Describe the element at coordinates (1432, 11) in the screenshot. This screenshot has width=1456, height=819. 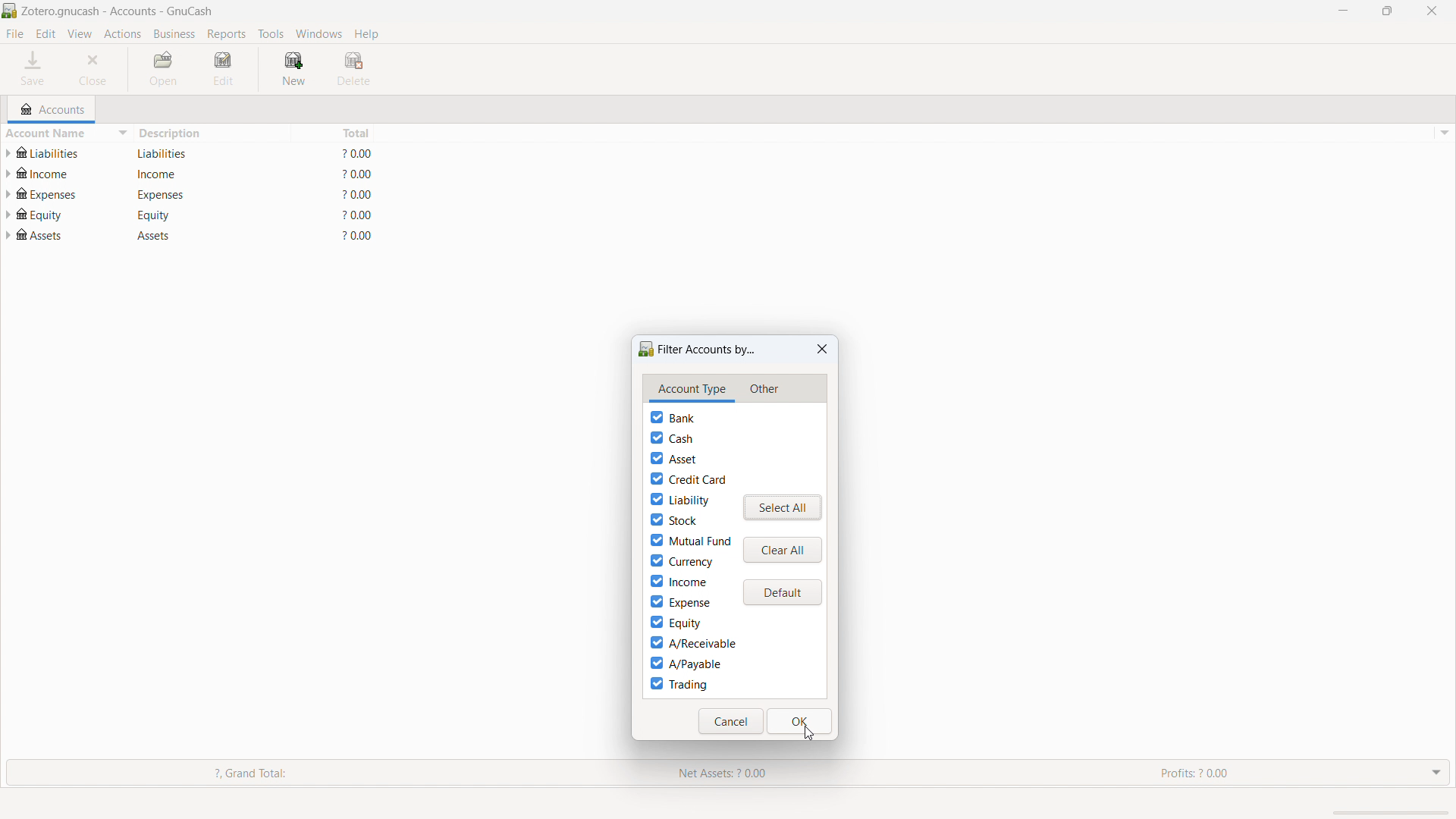
I see `close` at that location.